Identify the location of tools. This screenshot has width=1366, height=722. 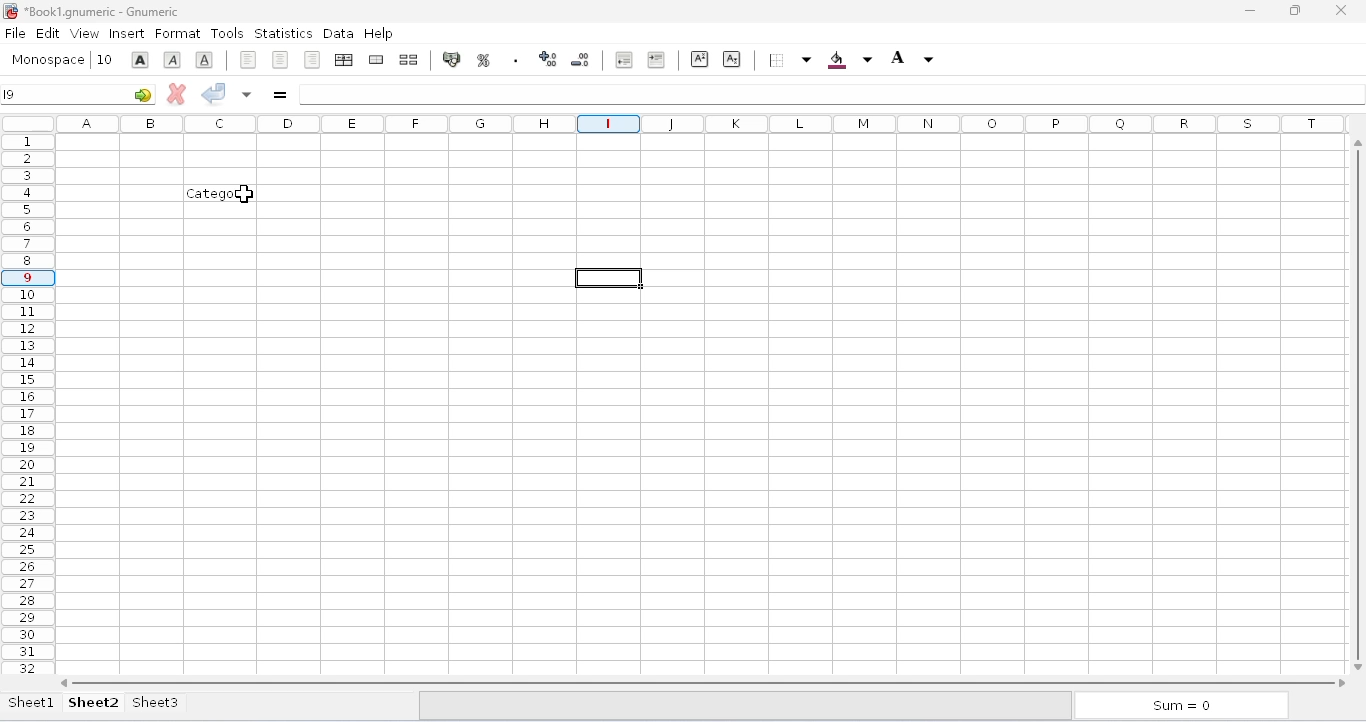
(227, 33).